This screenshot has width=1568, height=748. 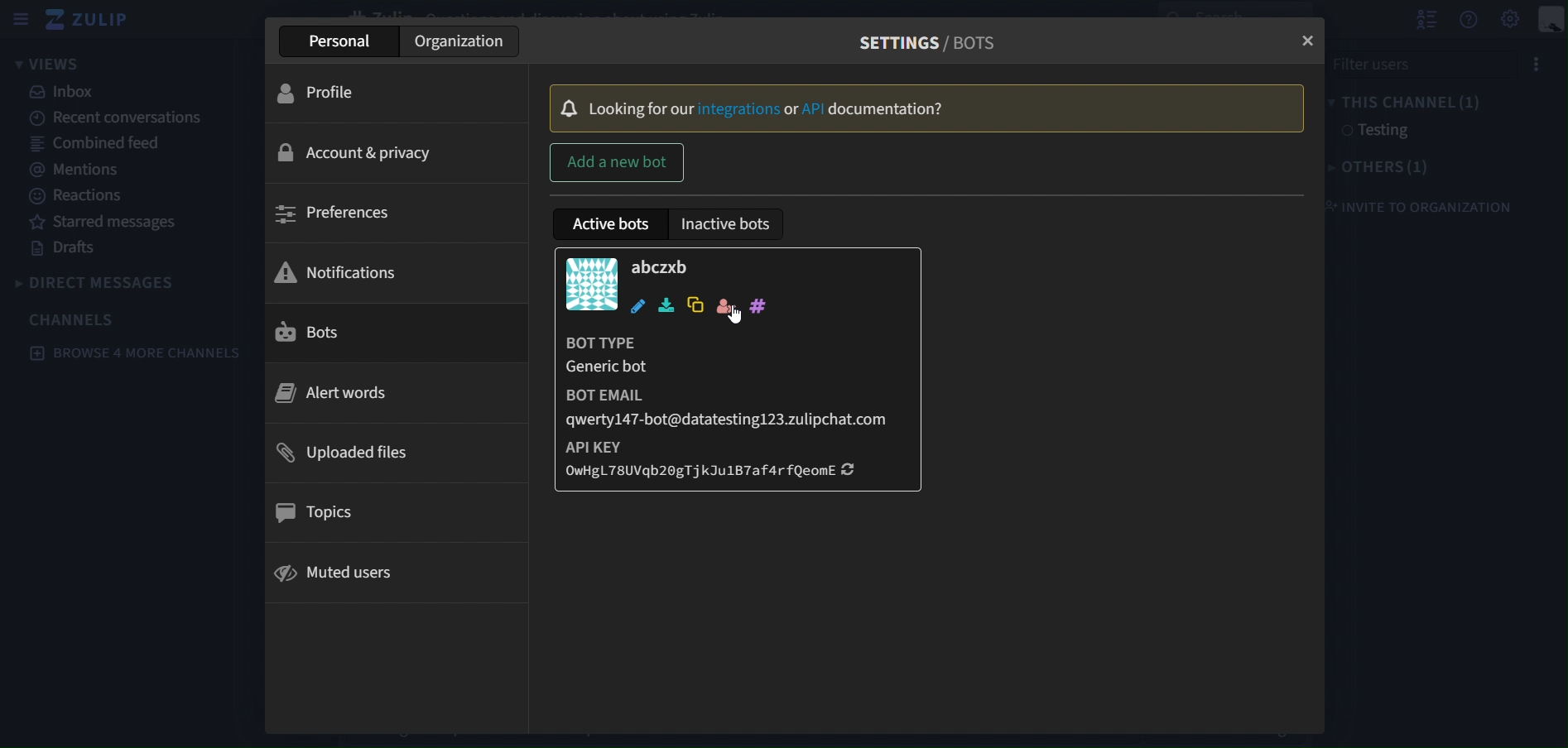 I want to click on channels, so click(x=73, y=319).